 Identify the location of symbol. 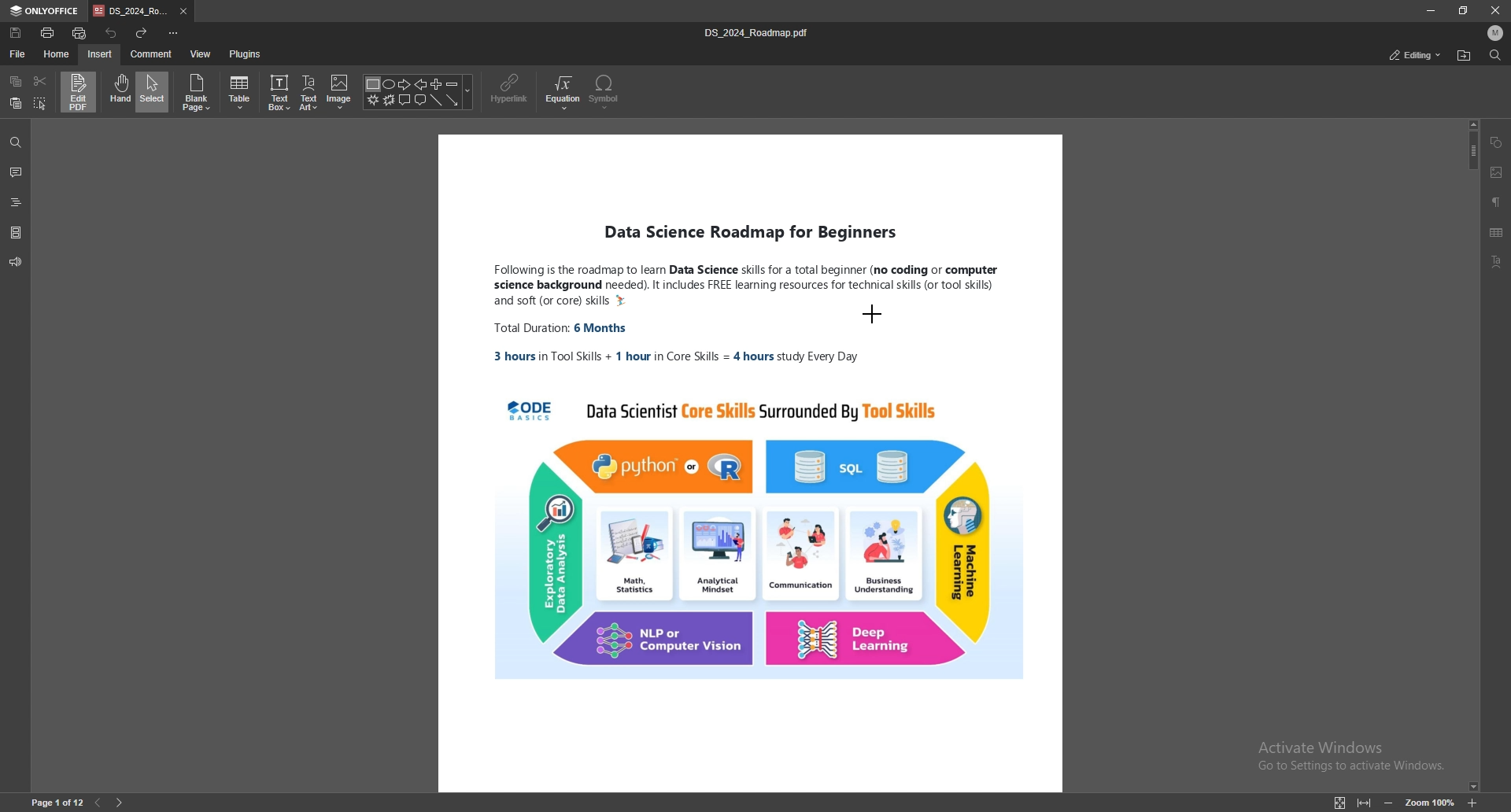
(605, 92).